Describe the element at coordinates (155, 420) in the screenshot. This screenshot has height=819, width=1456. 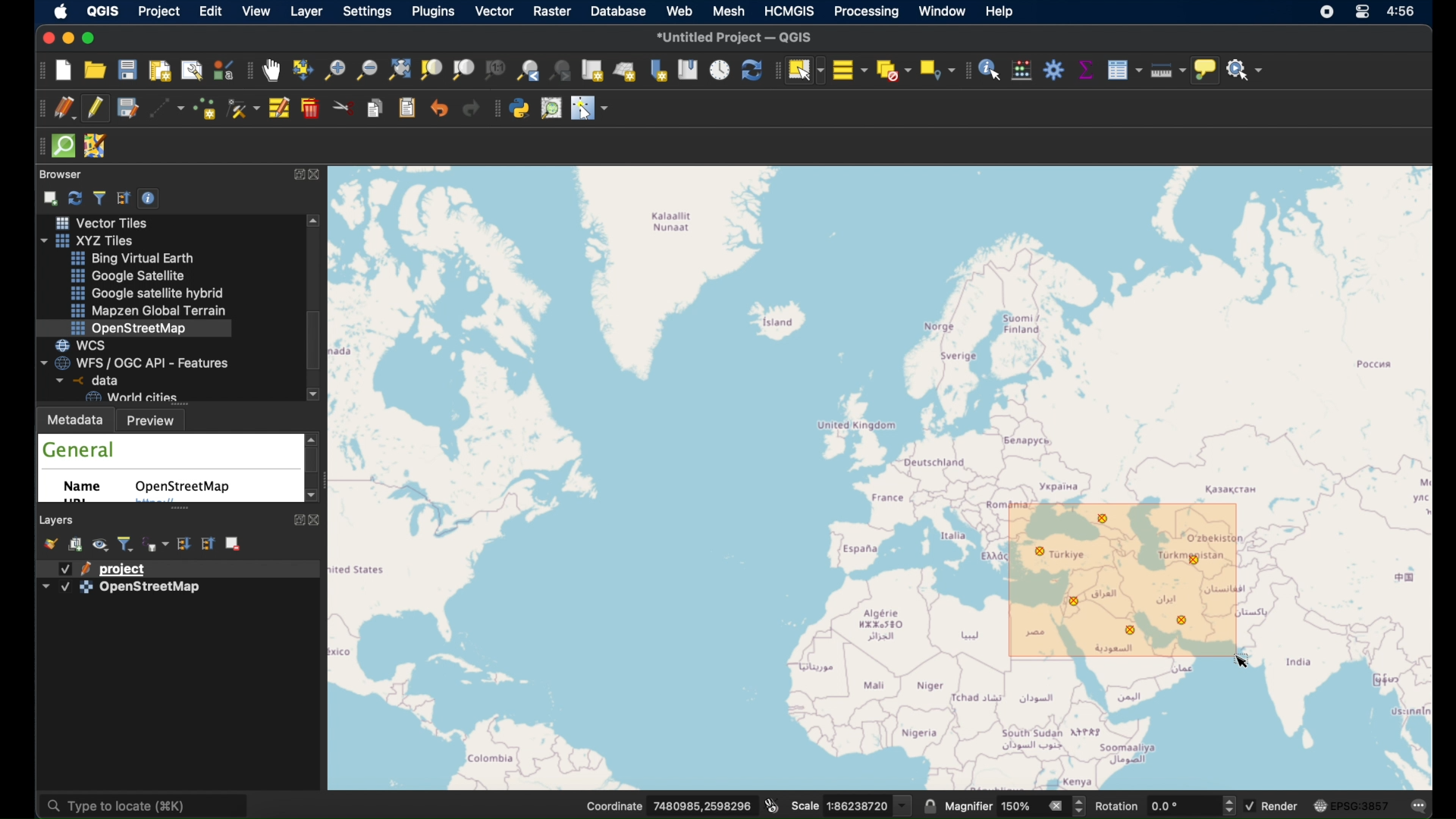
I see `preview` at that location.